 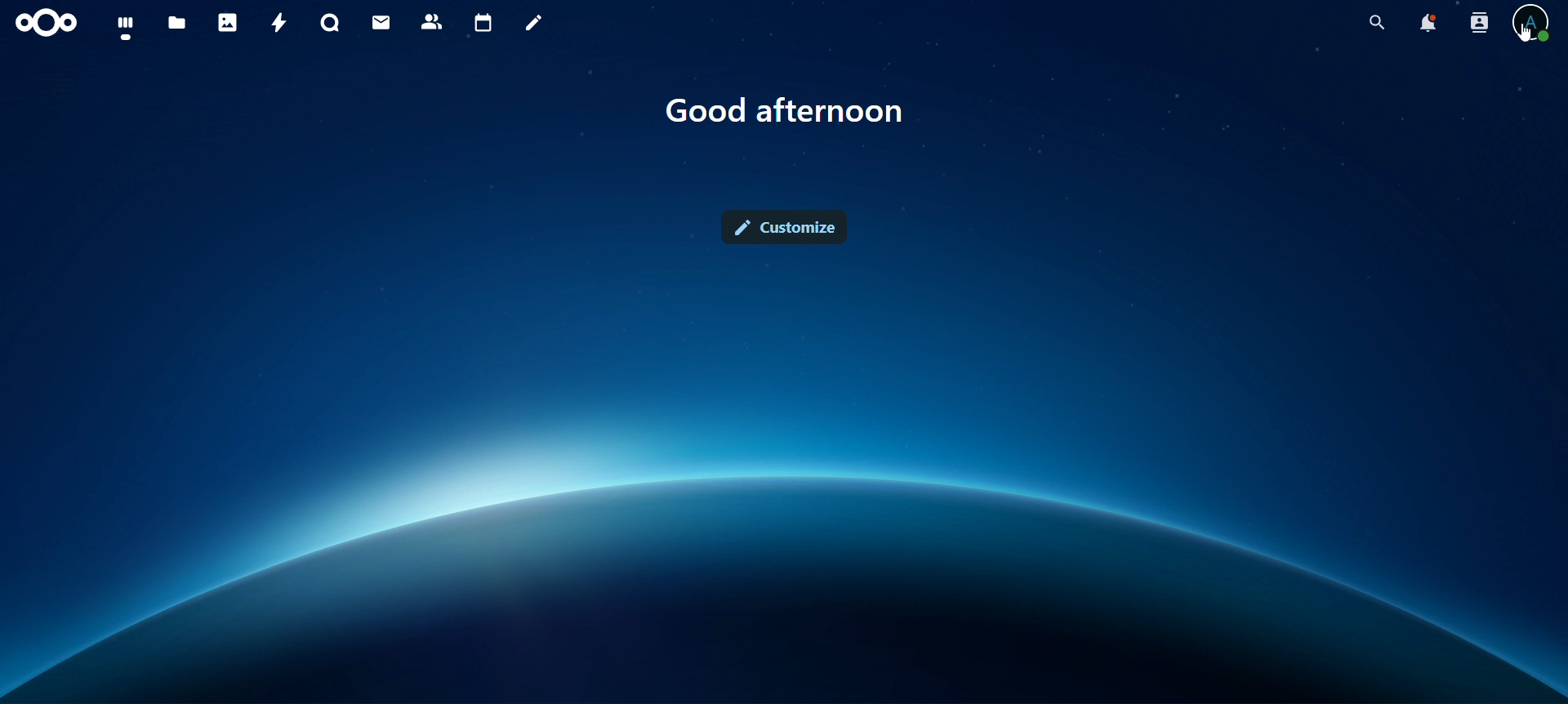 I want to click on cursor, so click(x=1523, y=39).